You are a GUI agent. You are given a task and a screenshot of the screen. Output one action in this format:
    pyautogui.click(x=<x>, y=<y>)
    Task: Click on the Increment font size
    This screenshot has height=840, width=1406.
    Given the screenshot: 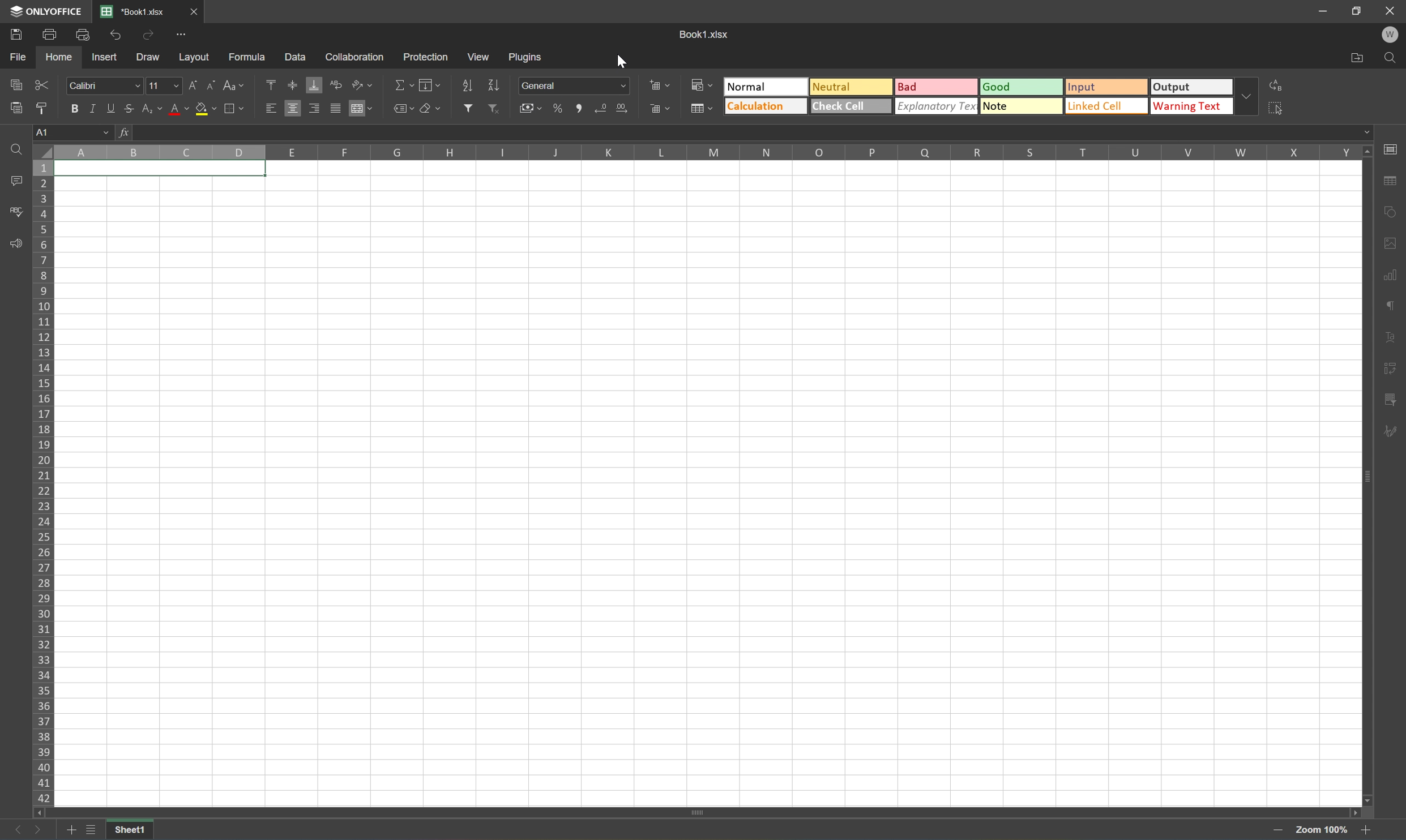 What is the action you would take?
    pyautogui.click(x=193, y=87)
    